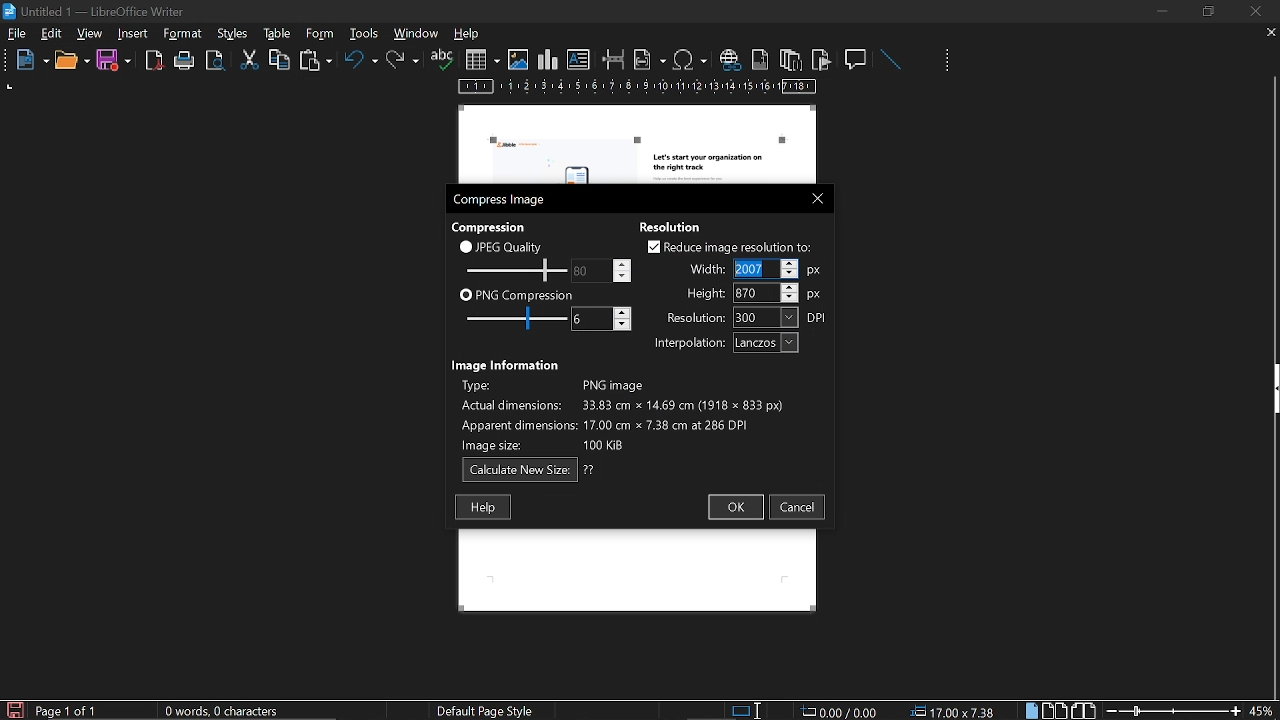  Describe the element at coordinates (956, 711) in the screenshot. I see `position` at that location.